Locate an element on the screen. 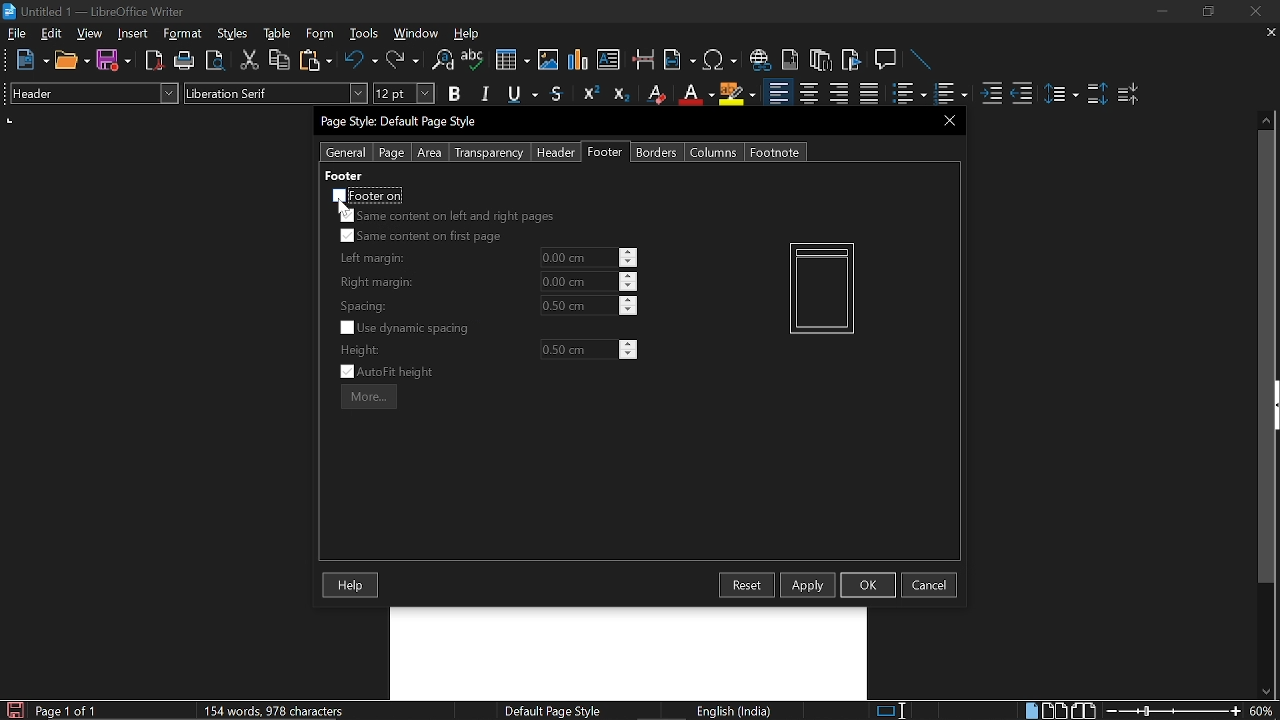  Superscript is located at coordinates (588, 94).